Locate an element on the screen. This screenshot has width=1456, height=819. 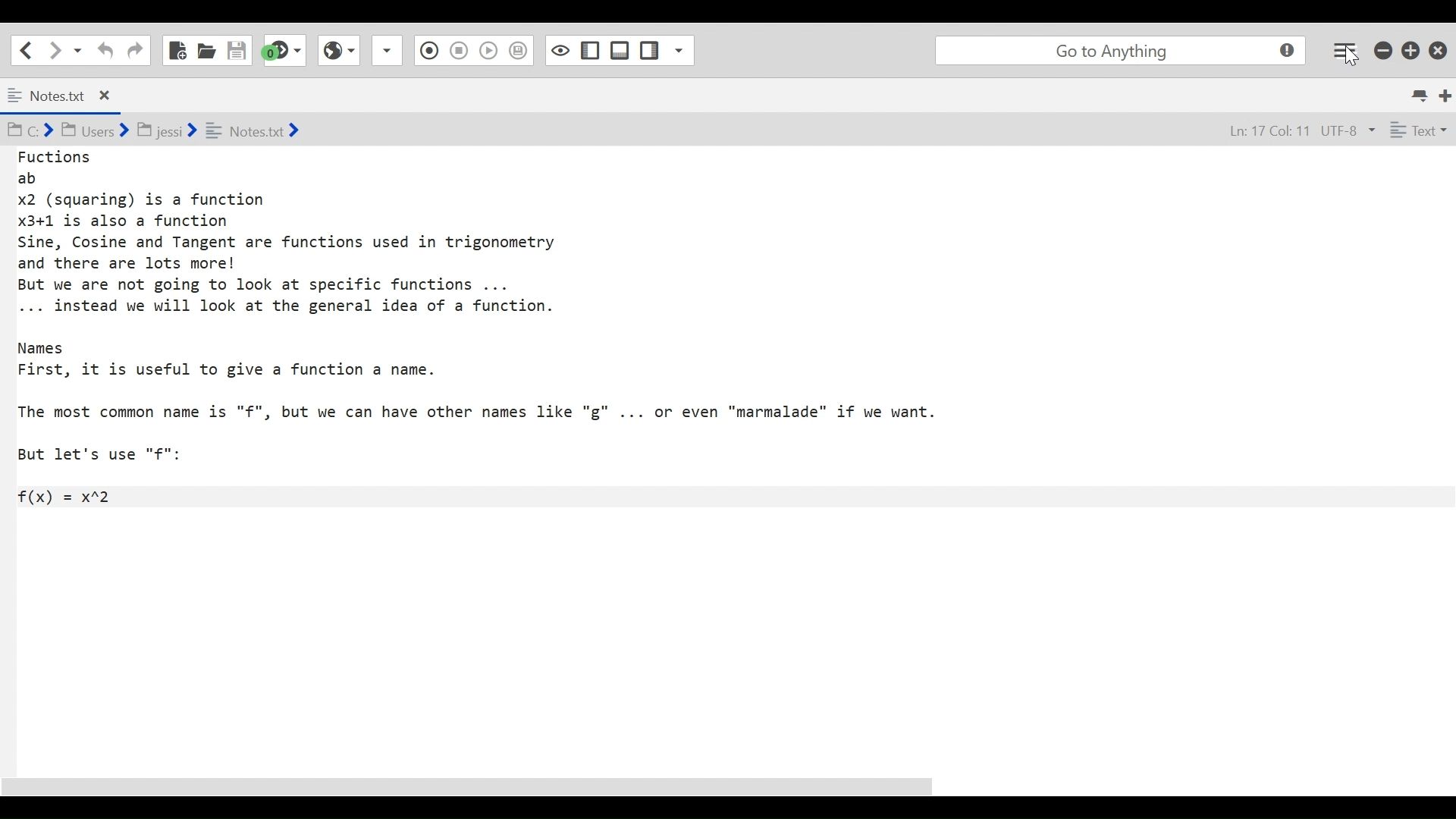
go to anything is located at coordinates (1124, 51).